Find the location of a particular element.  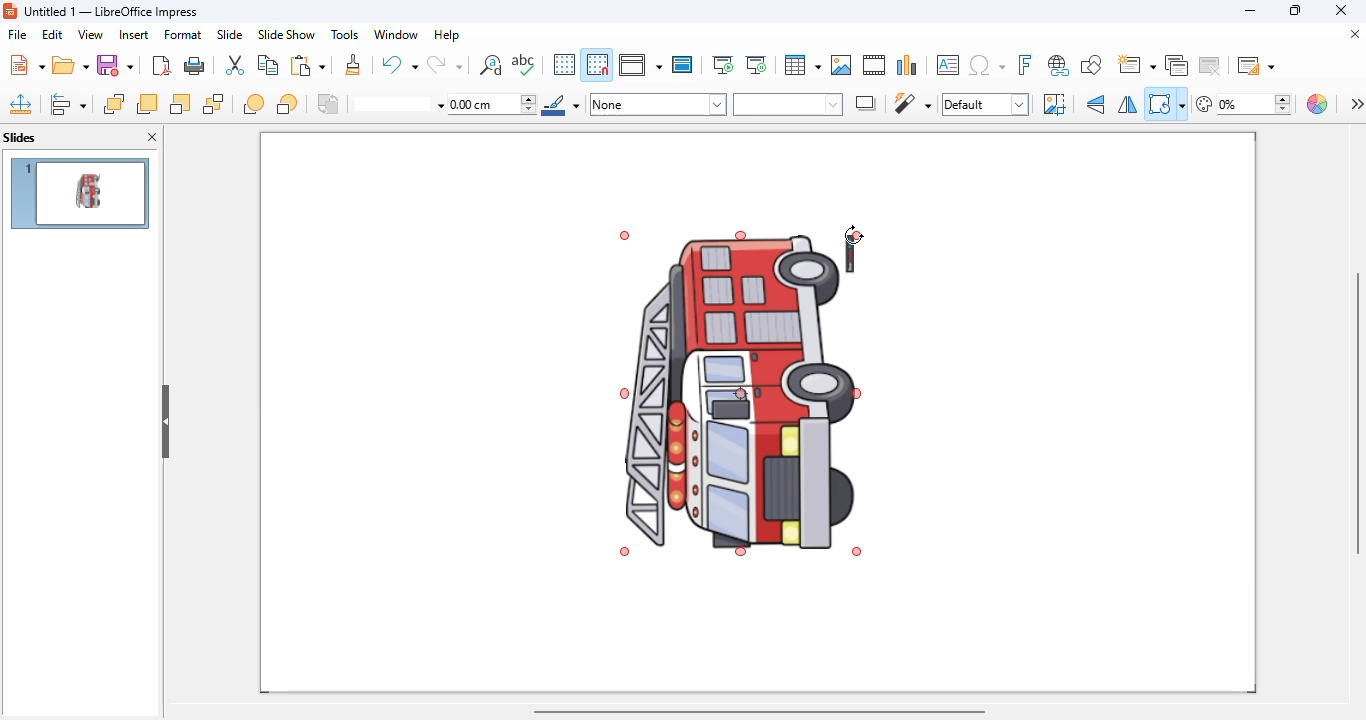

spelling is located at coordinates (524, 65).